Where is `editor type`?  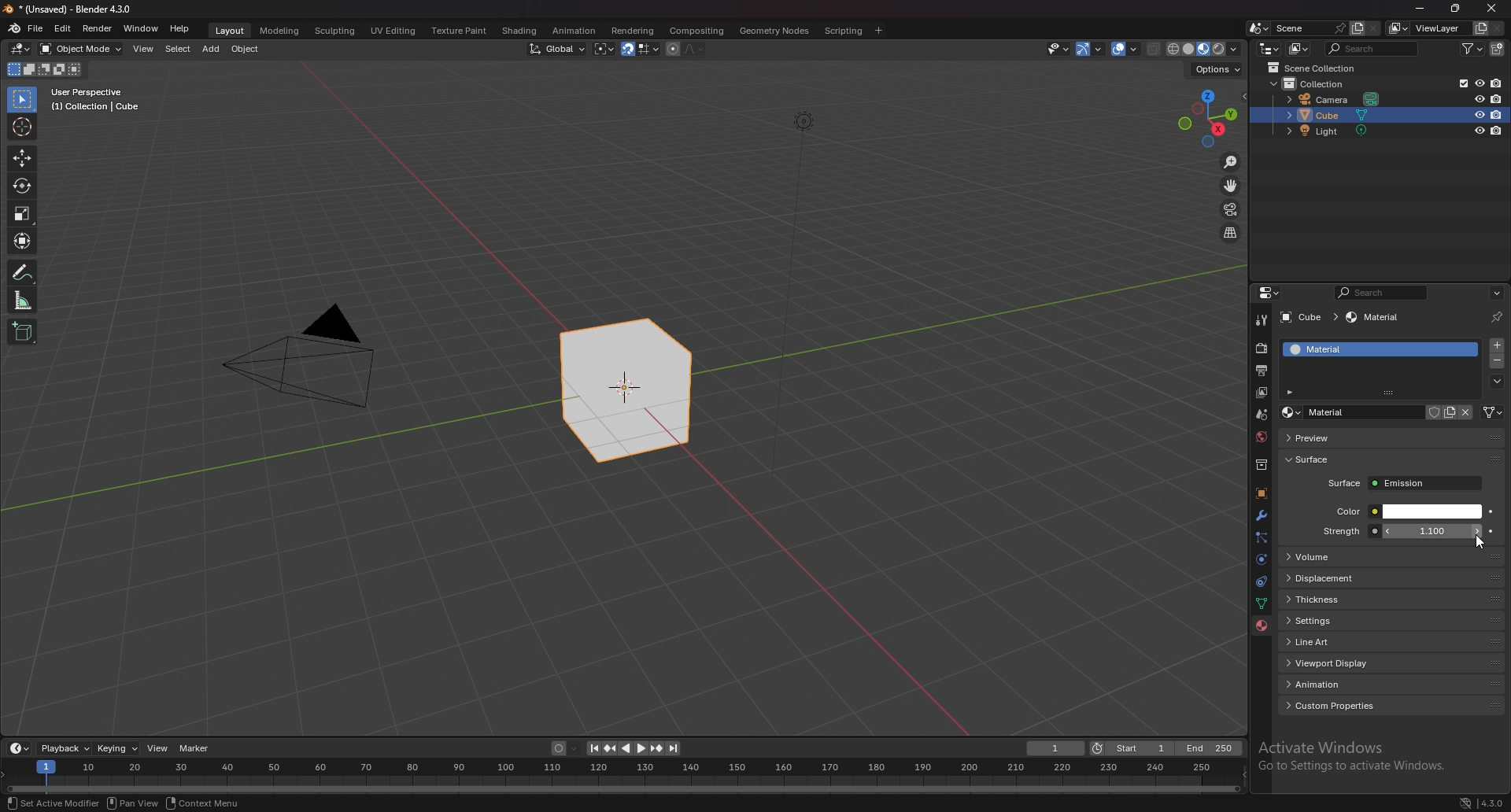
editor type is located at coordinates (1269, 48).